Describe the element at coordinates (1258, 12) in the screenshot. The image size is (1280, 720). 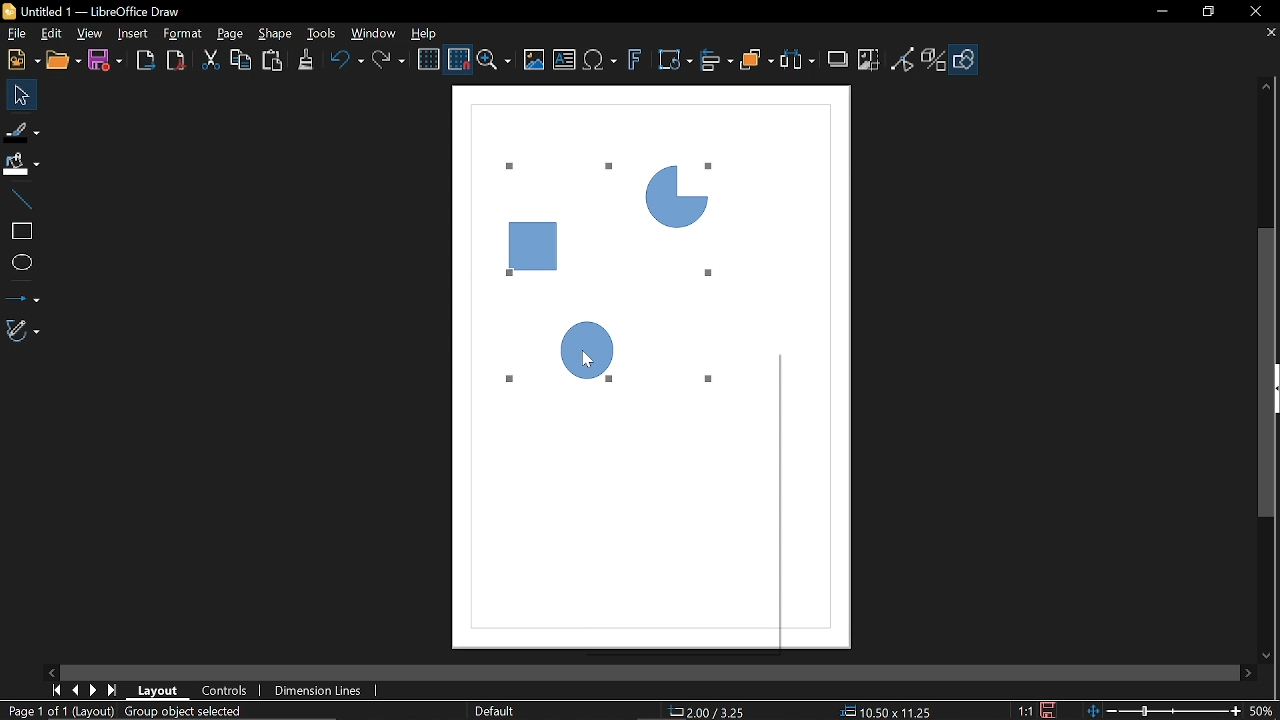
I see `Close window` at that location.